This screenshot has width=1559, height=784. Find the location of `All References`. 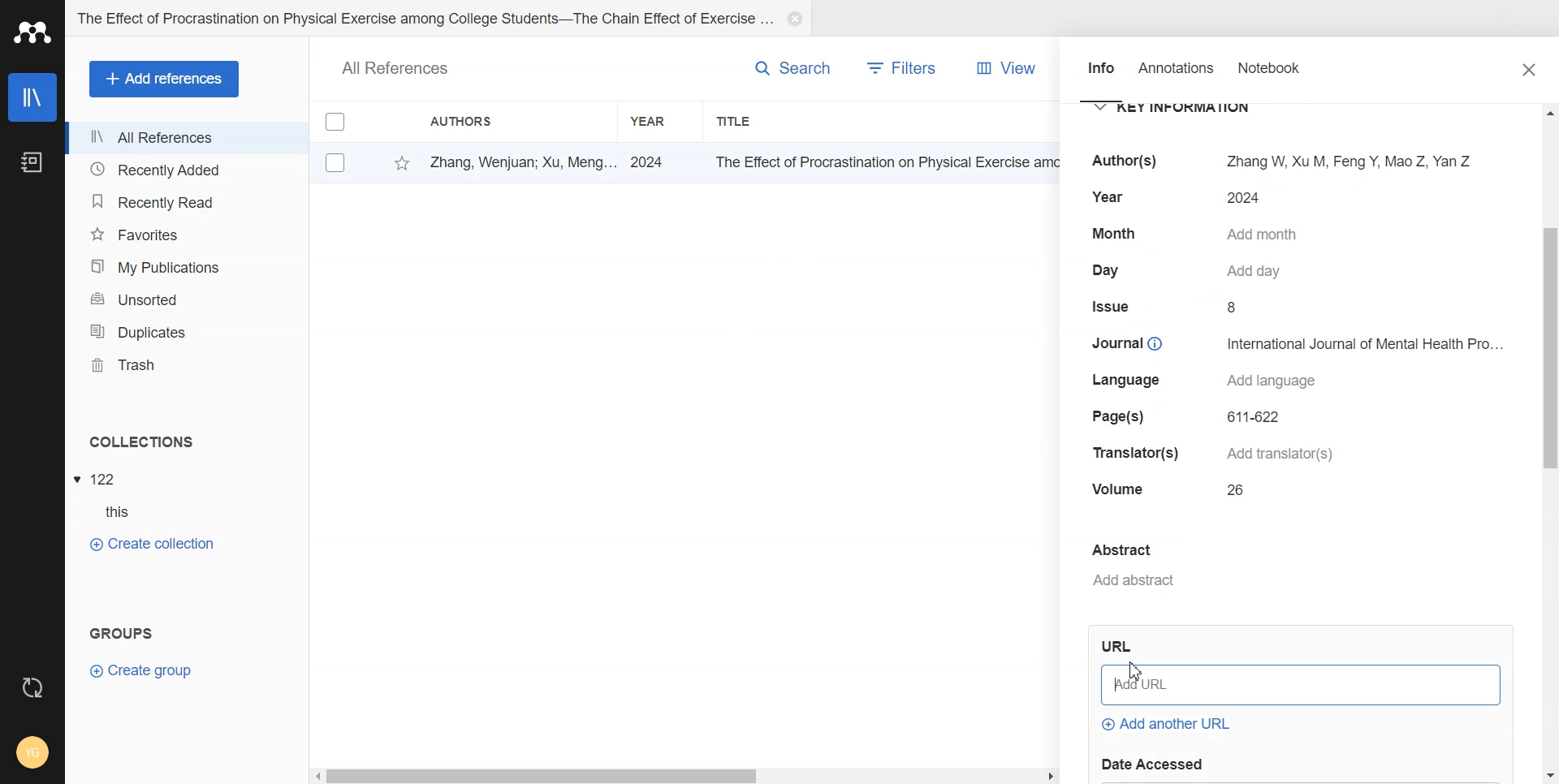

All References is located at coordinates (186, 138).